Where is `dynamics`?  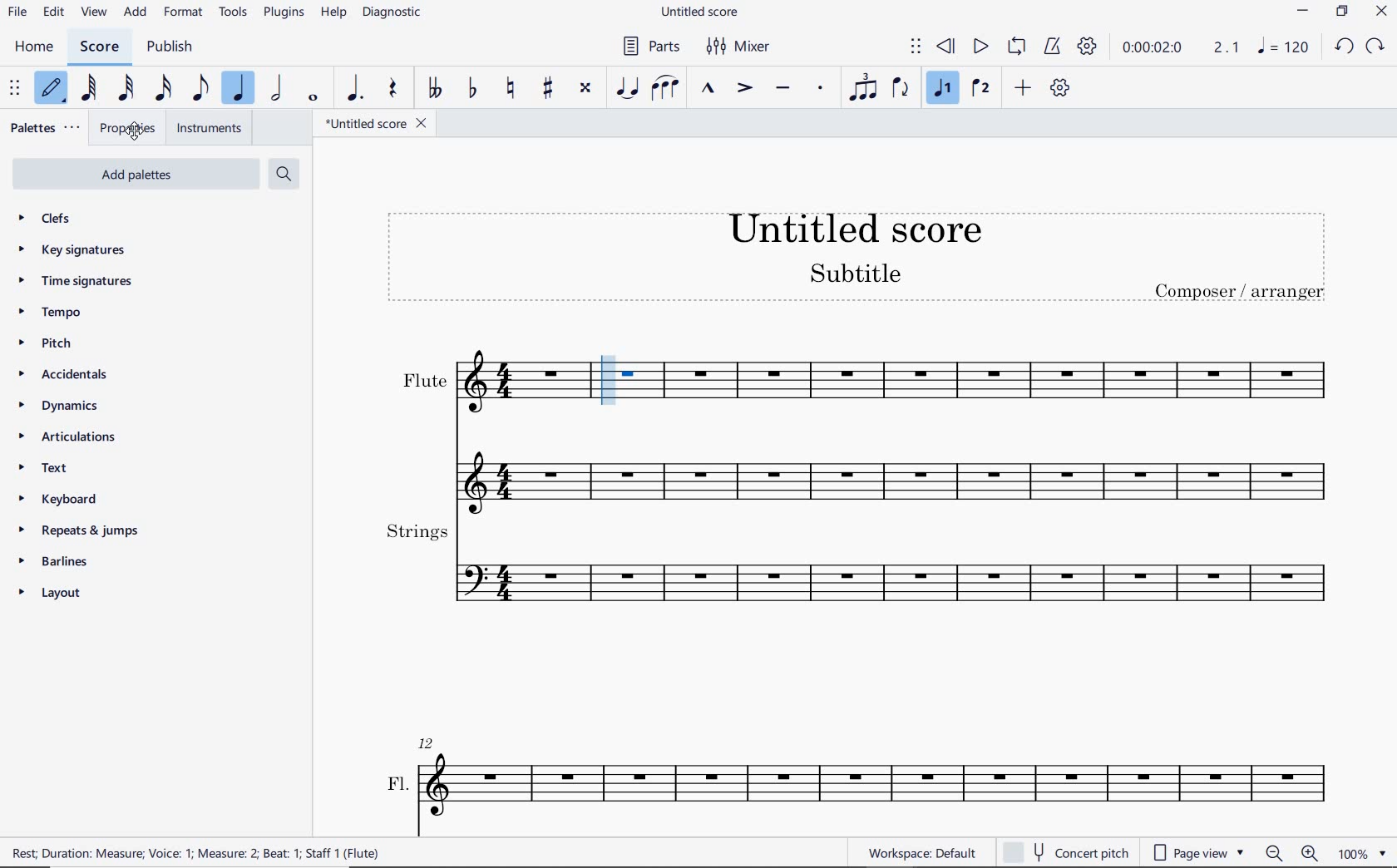
dynamics is located at coordinates (59, 407).